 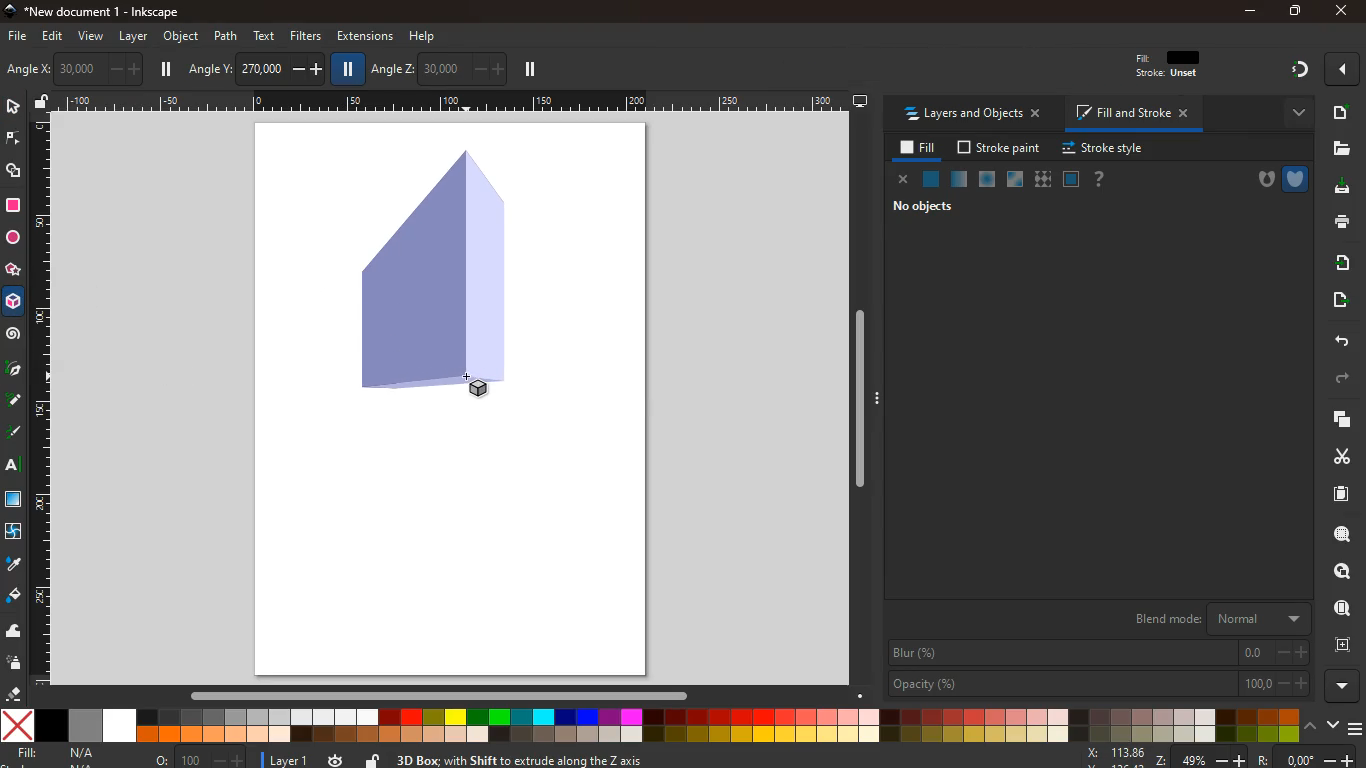 What do you see at coordinates (1332, 494) in the screenshot?
I see `paper` at bounding box center [1332, 494].